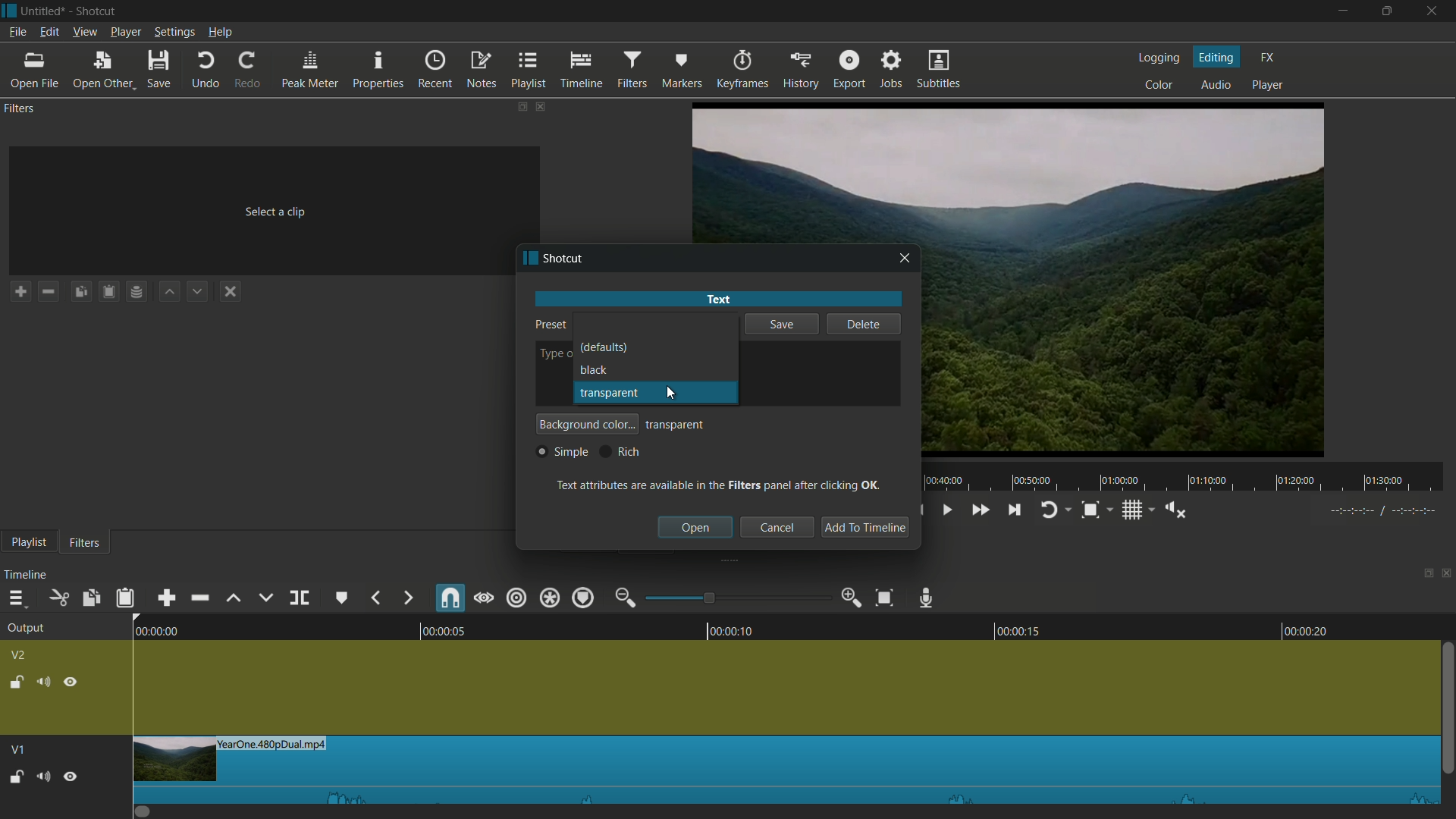  What do you see at coordinates (407, 598) in the screenshot?
I see `forward` at bounding box center [407, 598].